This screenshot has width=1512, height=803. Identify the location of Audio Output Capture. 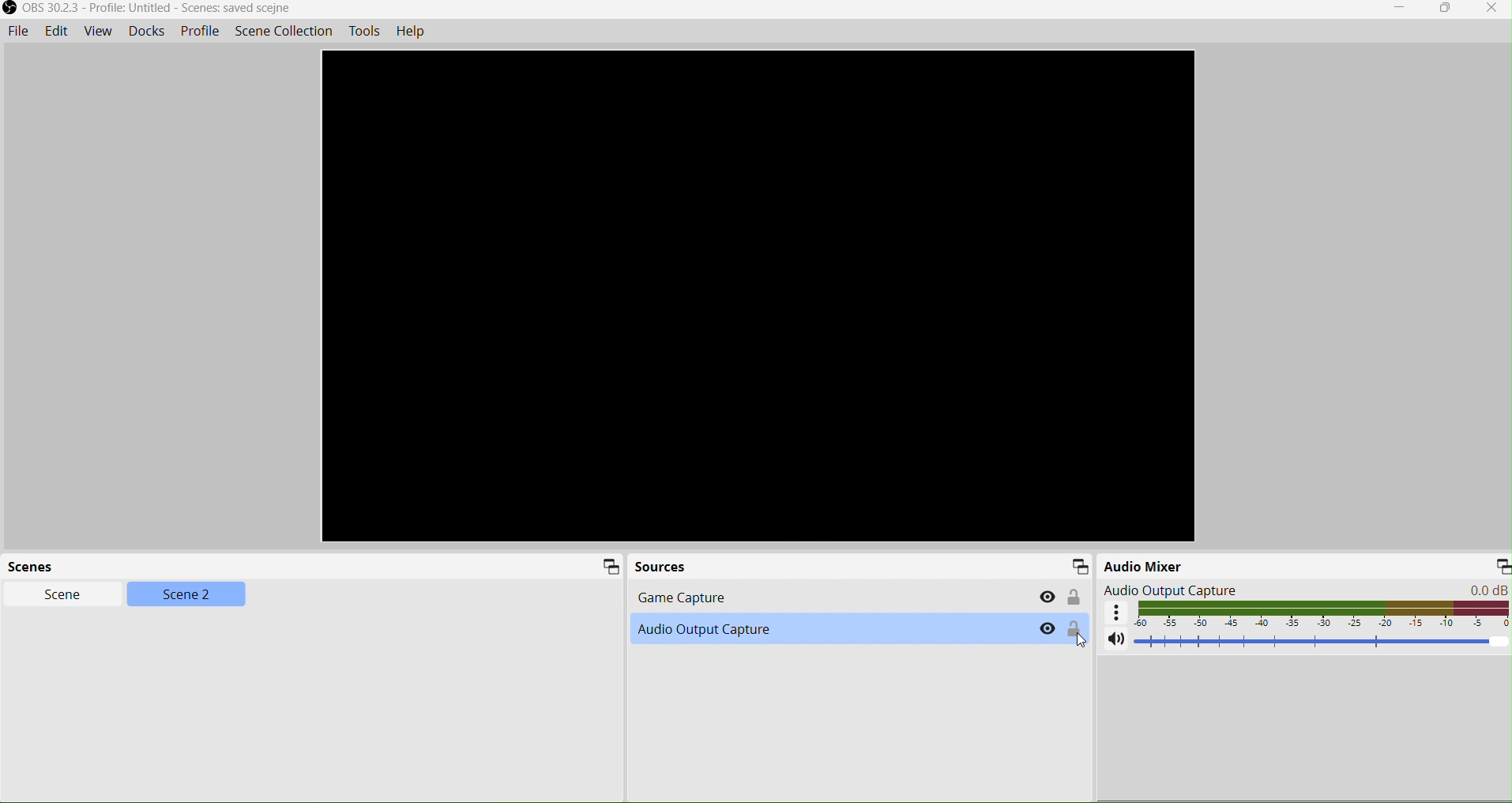
(1183, 588).